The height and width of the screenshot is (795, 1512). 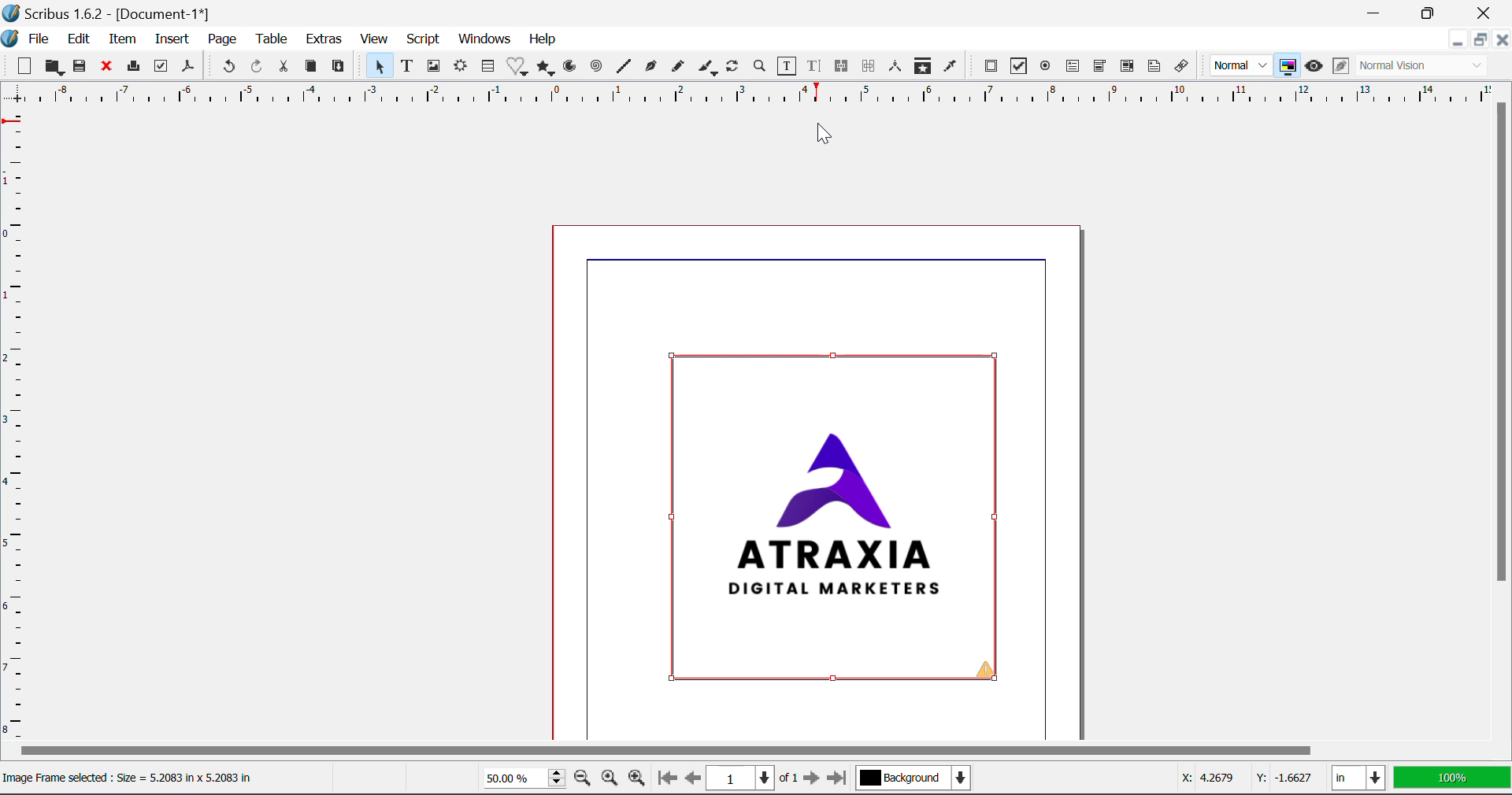 I want to click on Bezier Curve, so click(x=649, y=67).